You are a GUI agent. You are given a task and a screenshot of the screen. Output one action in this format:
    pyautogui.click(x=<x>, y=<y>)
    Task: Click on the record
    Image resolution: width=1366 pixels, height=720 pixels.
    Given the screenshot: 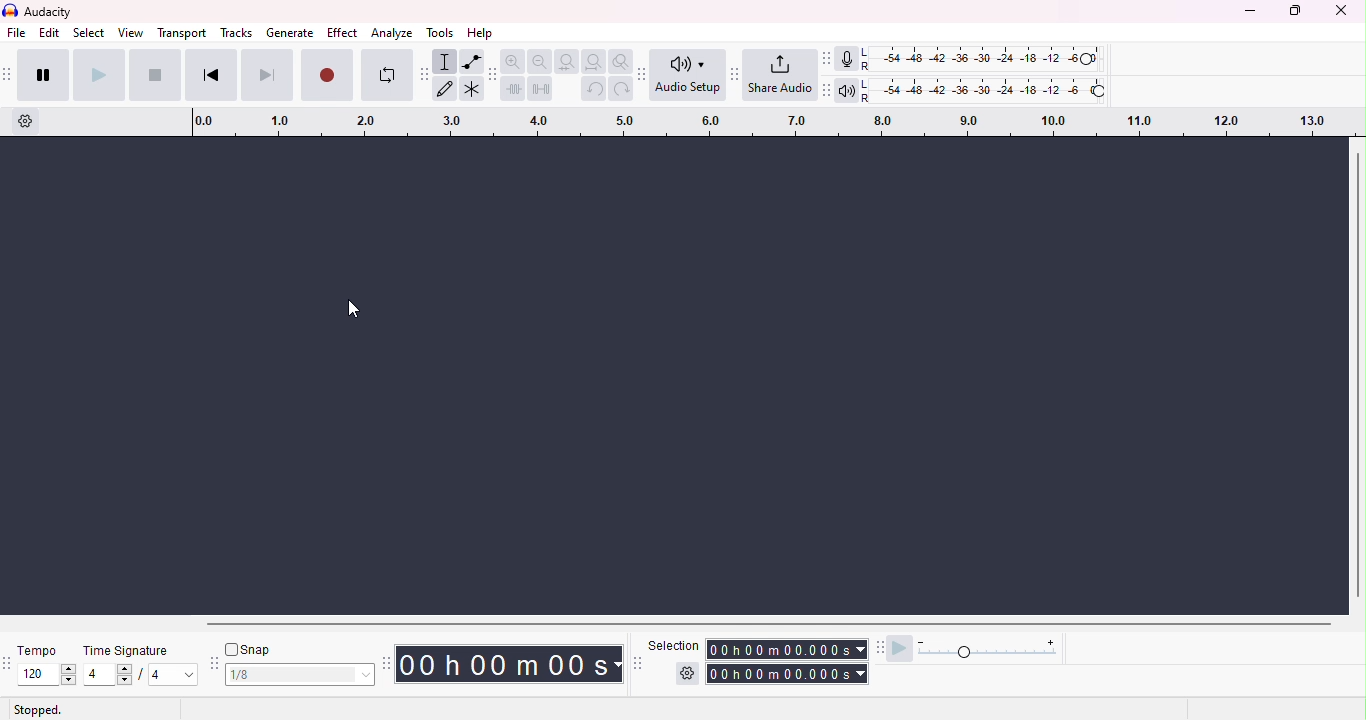 What is the action you would take?
    pyautogui.click(x=327, y=74)
    